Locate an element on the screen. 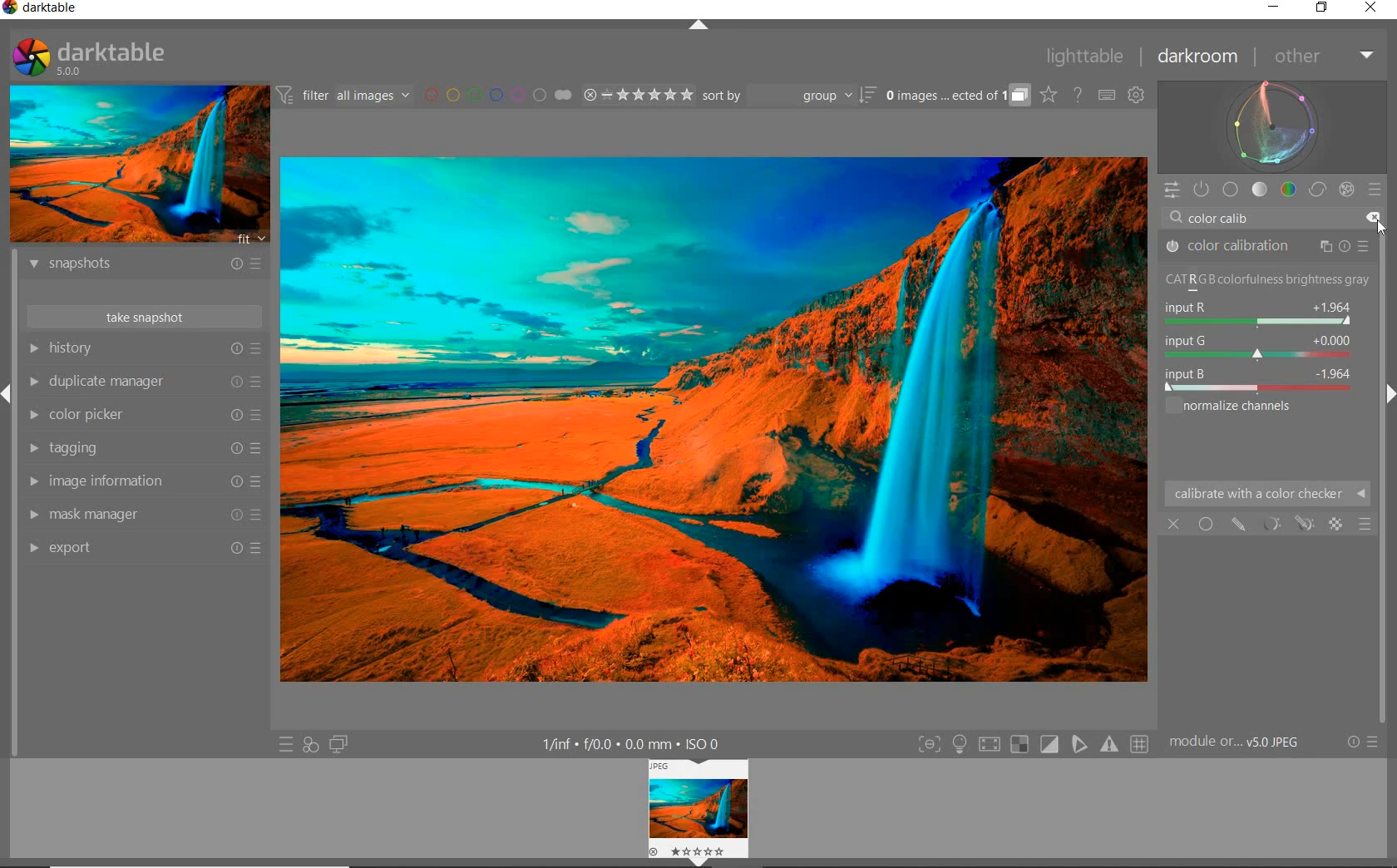 The height and width of the screenshot is (868, 1397). INPUT VALUE is located at coordinates (1231, 216).